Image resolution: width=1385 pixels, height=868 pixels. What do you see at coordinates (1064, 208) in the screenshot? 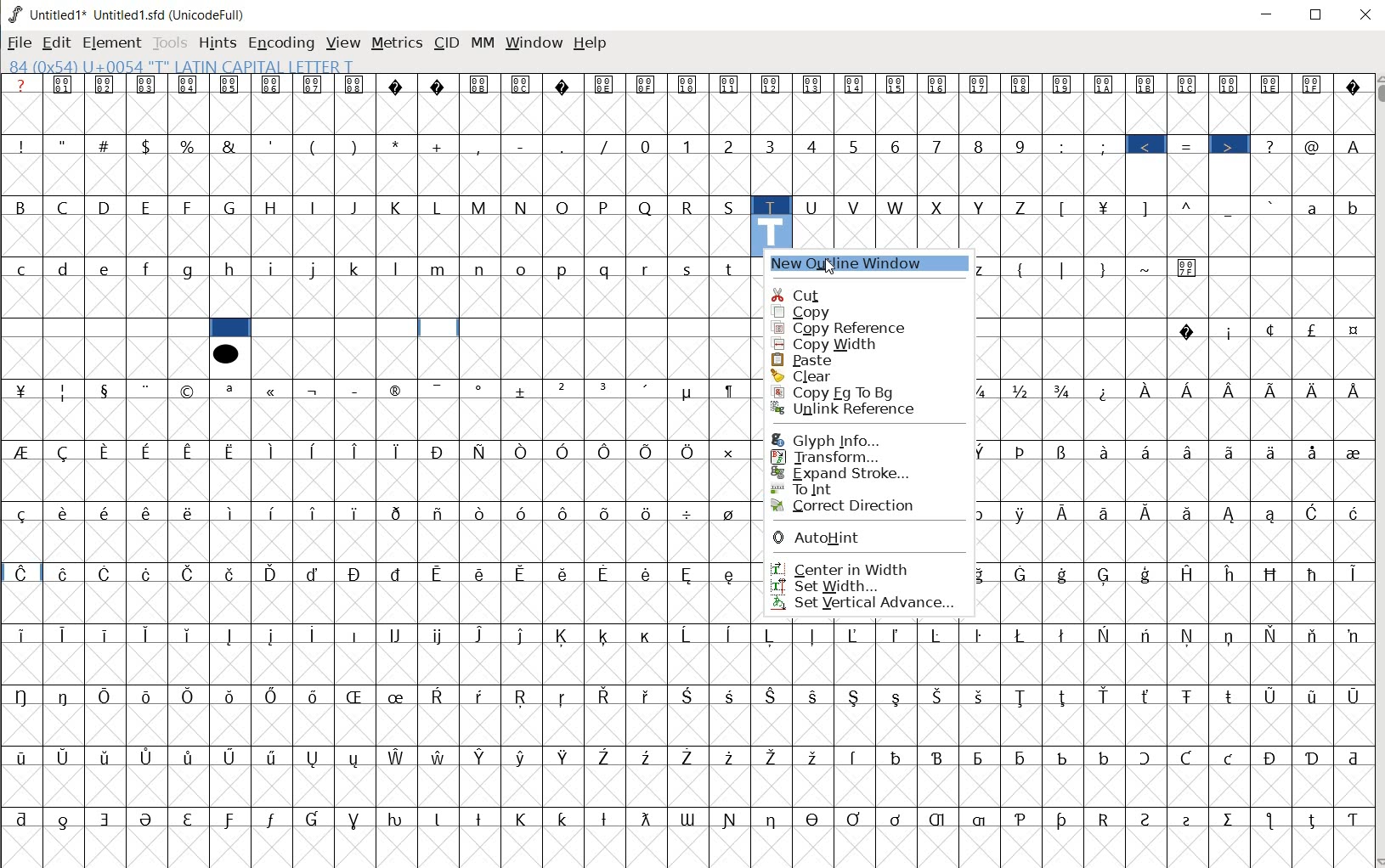
I see `[` at bounding box center [1064, 208].